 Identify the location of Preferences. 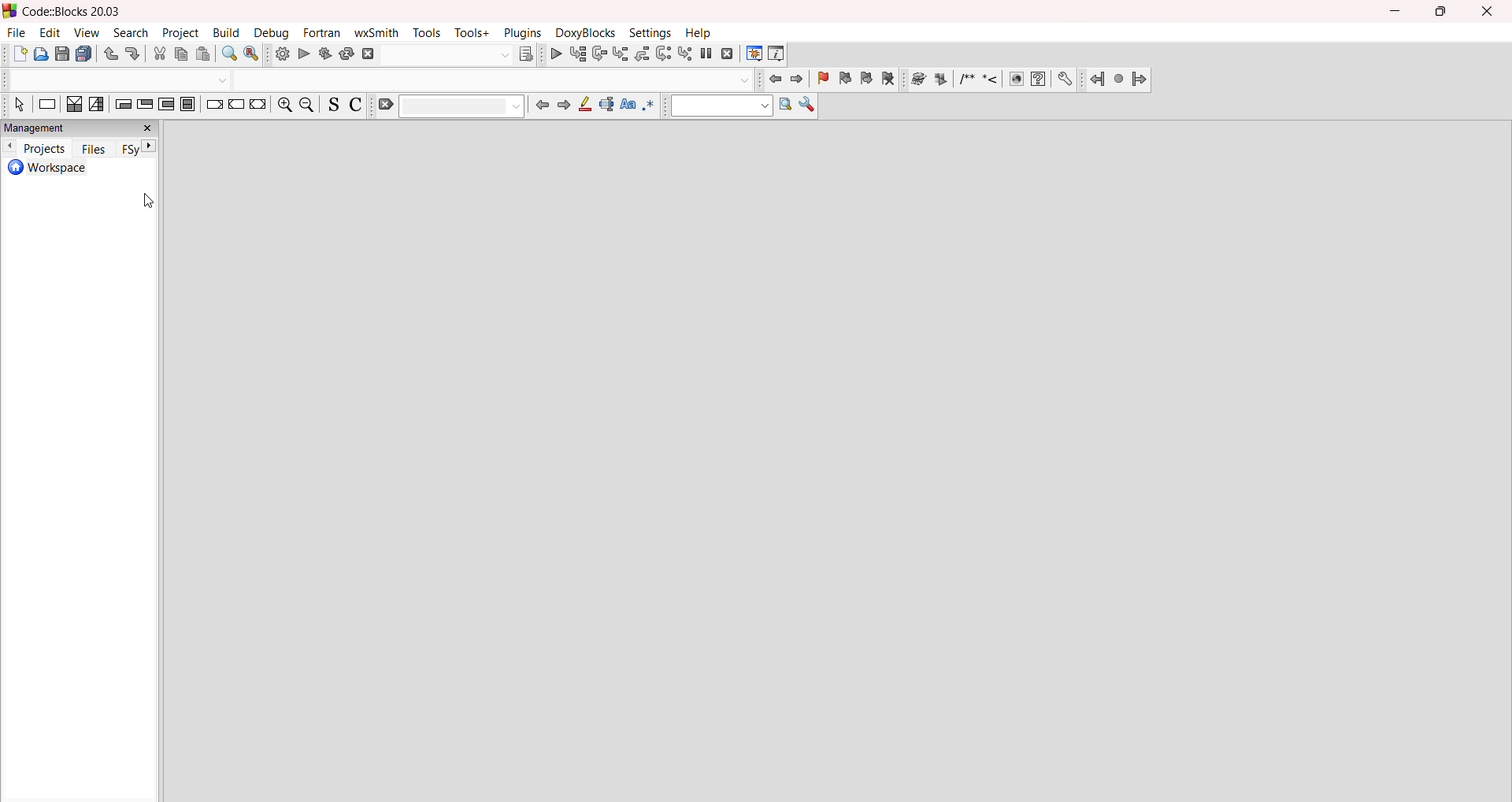
(1066, 79).